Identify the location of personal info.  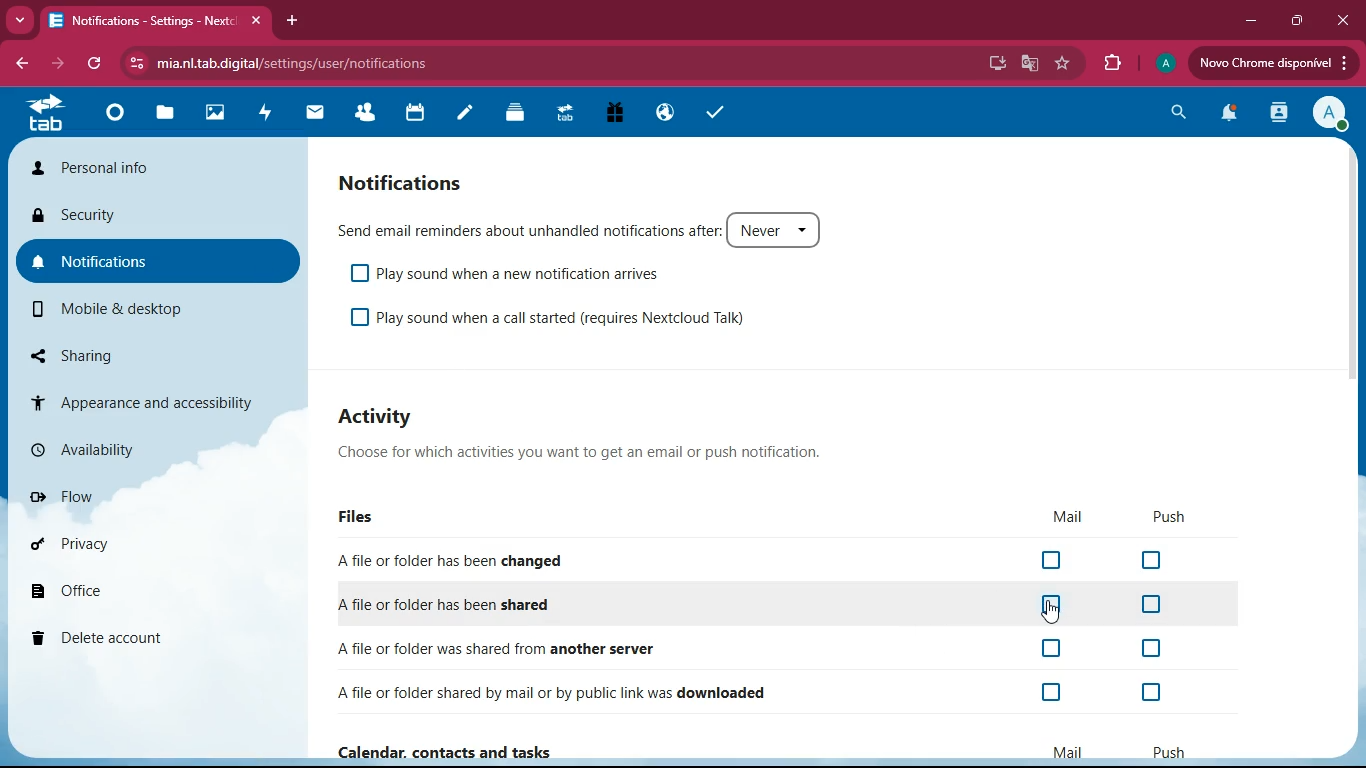
(152, 166).